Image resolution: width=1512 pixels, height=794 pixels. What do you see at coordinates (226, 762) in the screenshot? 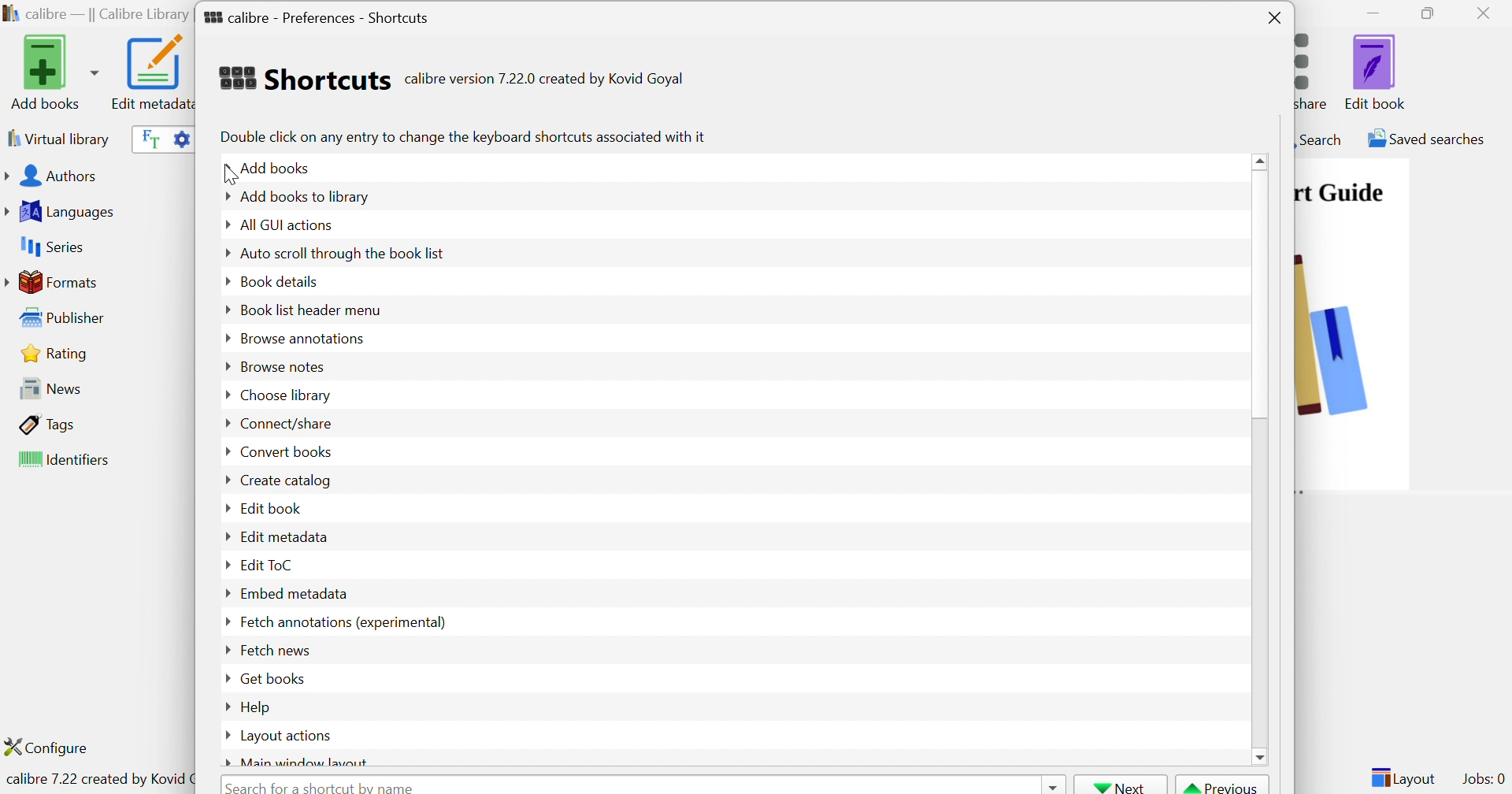
I see `Drop Down` at bounding box center [226, 762].